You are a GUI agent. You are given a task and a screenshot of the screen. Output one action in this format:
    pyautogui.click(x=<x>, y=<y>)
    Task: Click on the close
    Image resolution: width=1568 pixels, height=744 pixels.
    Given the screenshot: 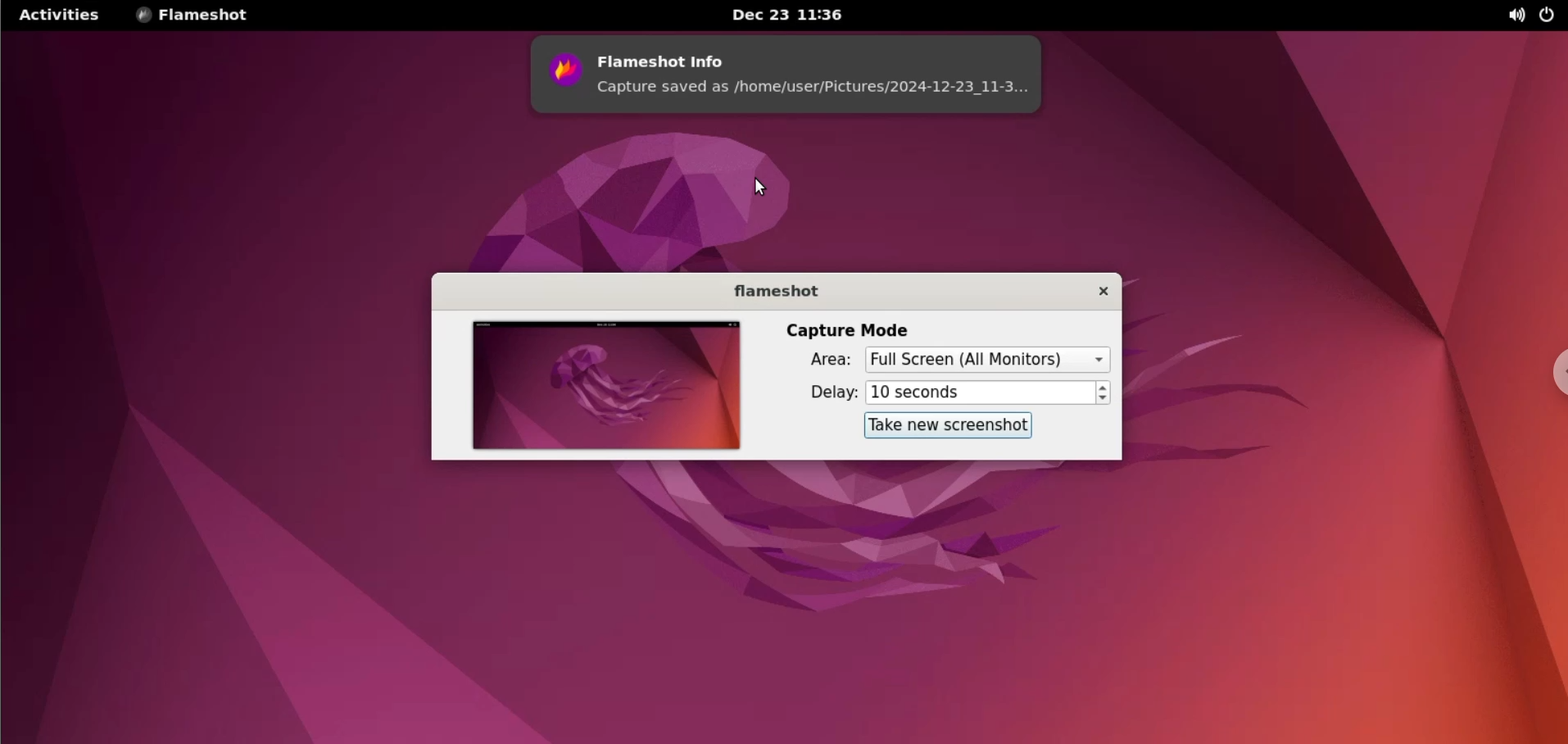 What is the action you would take?
    pyautogui.click(x=1103, y=293)
    